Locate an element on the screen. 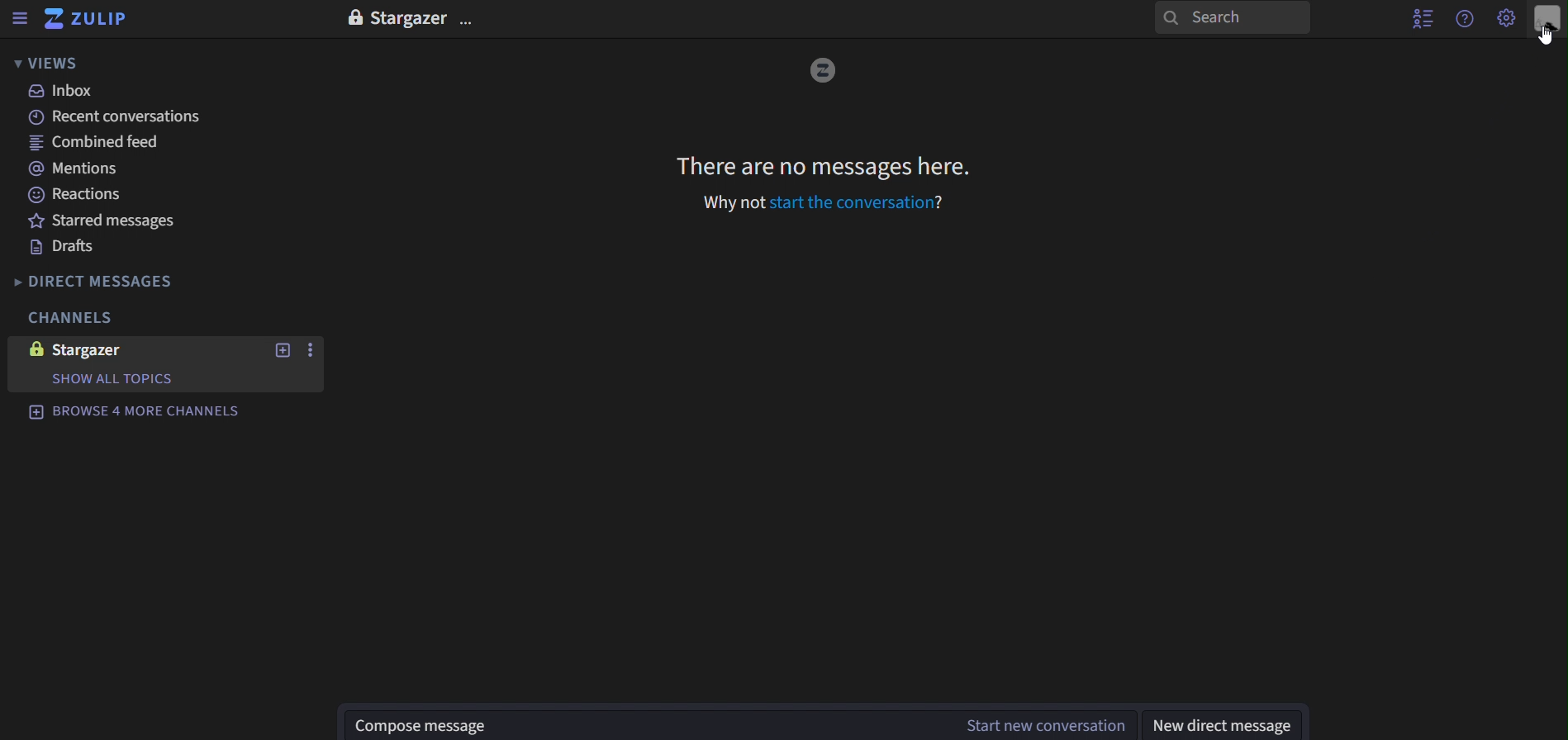 This screenshot has width=1568, height=740. combined feed is located at coordinates (109, 145).